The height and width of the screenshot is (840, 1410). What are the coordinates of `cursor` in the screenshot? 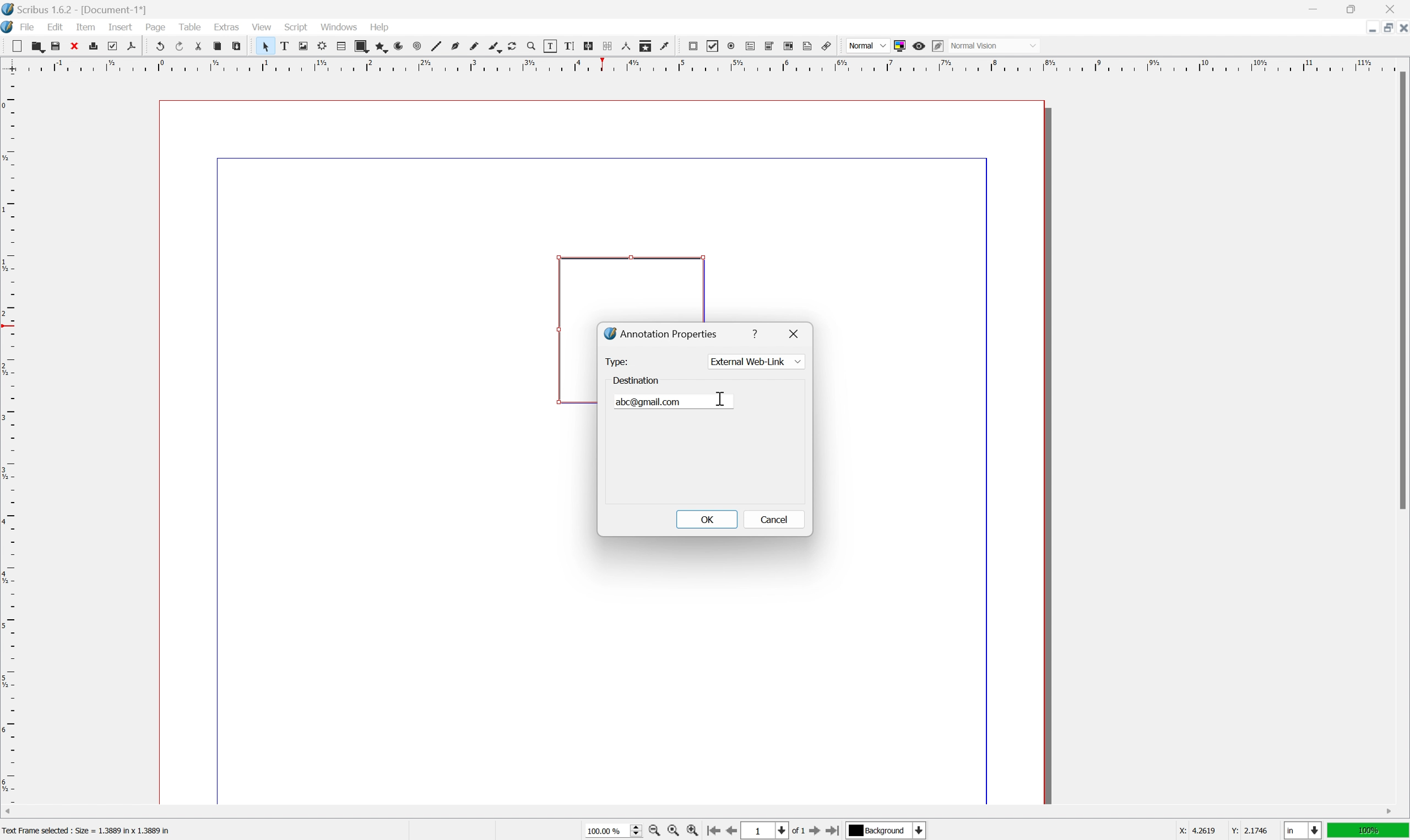 It's located at (717, 396).